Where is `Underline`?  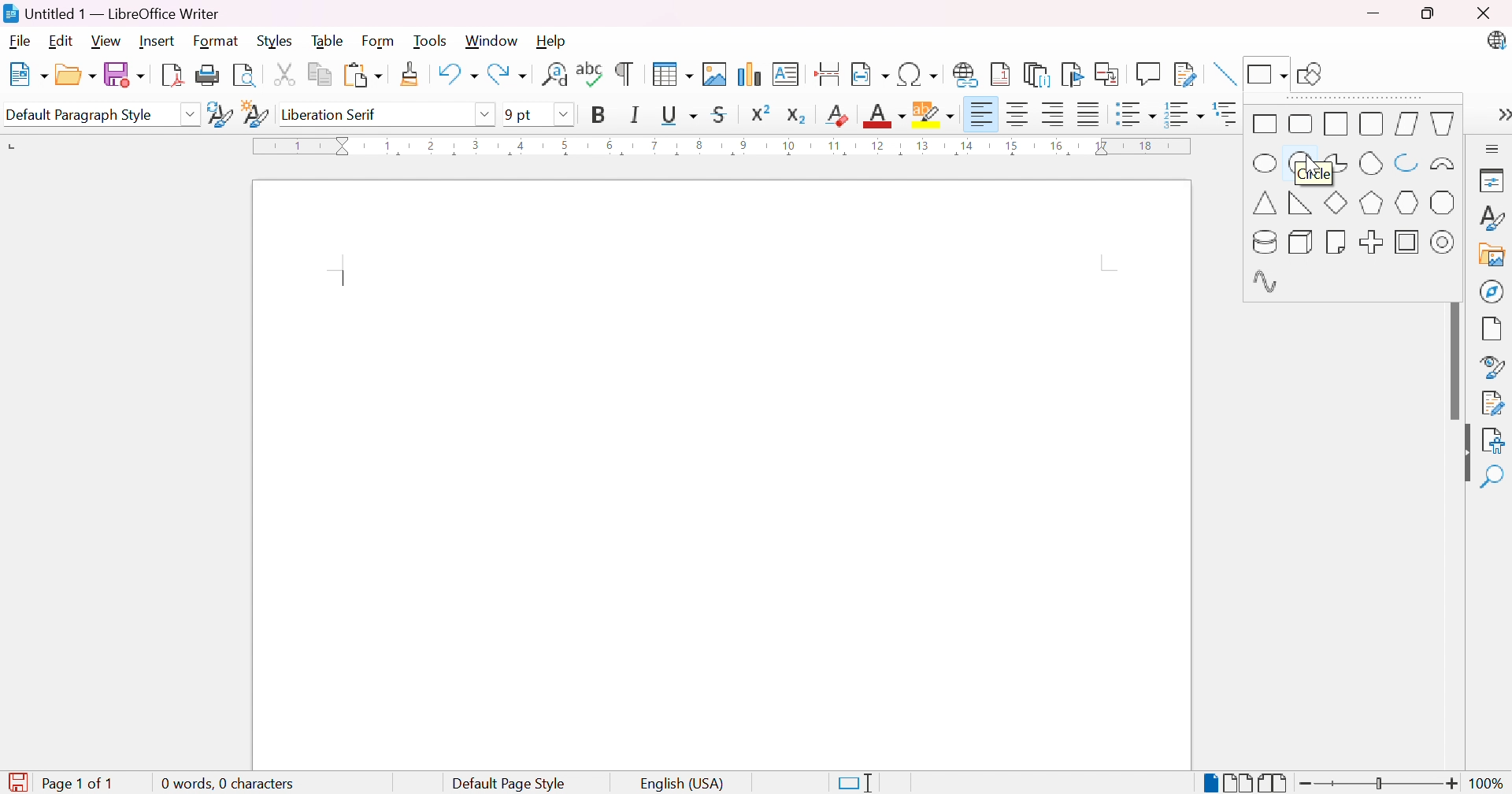
Underline is located at coordinates (679, 116).